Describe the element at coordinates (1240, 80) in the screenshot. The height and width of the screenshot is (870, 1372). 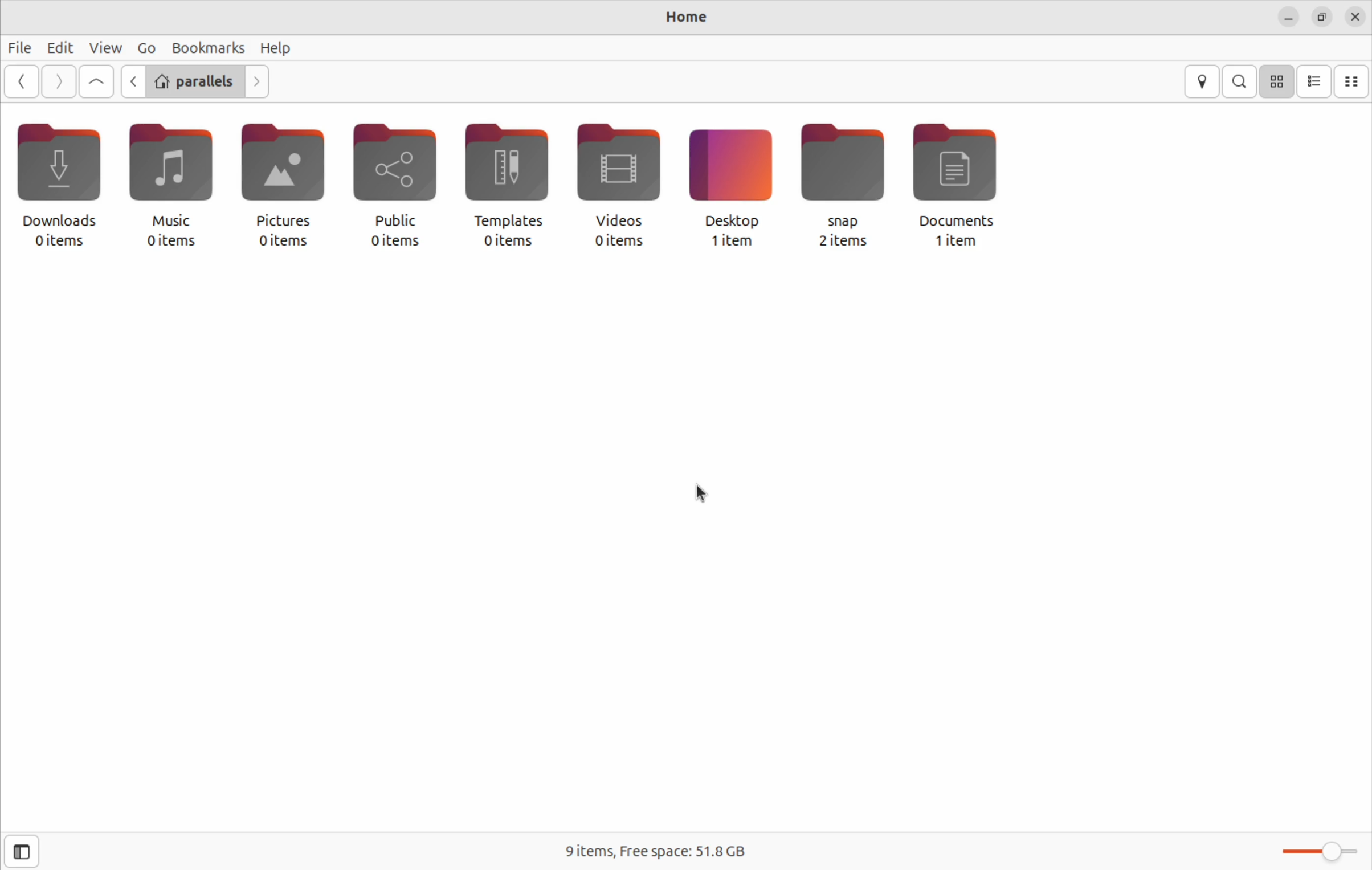
I see `search` at that location.